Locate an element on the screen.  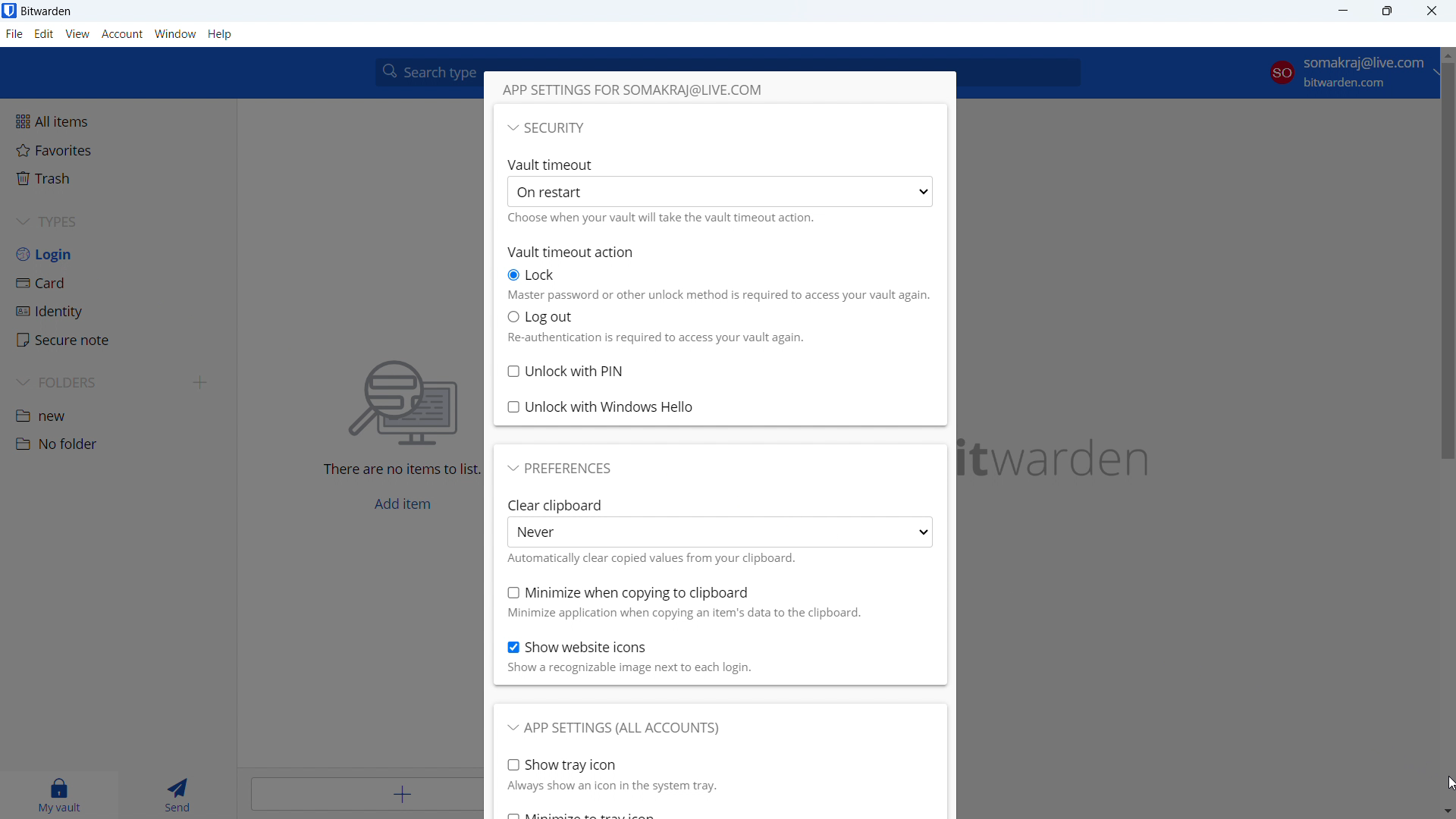
folder 2 is located at coordinates (117, 444).